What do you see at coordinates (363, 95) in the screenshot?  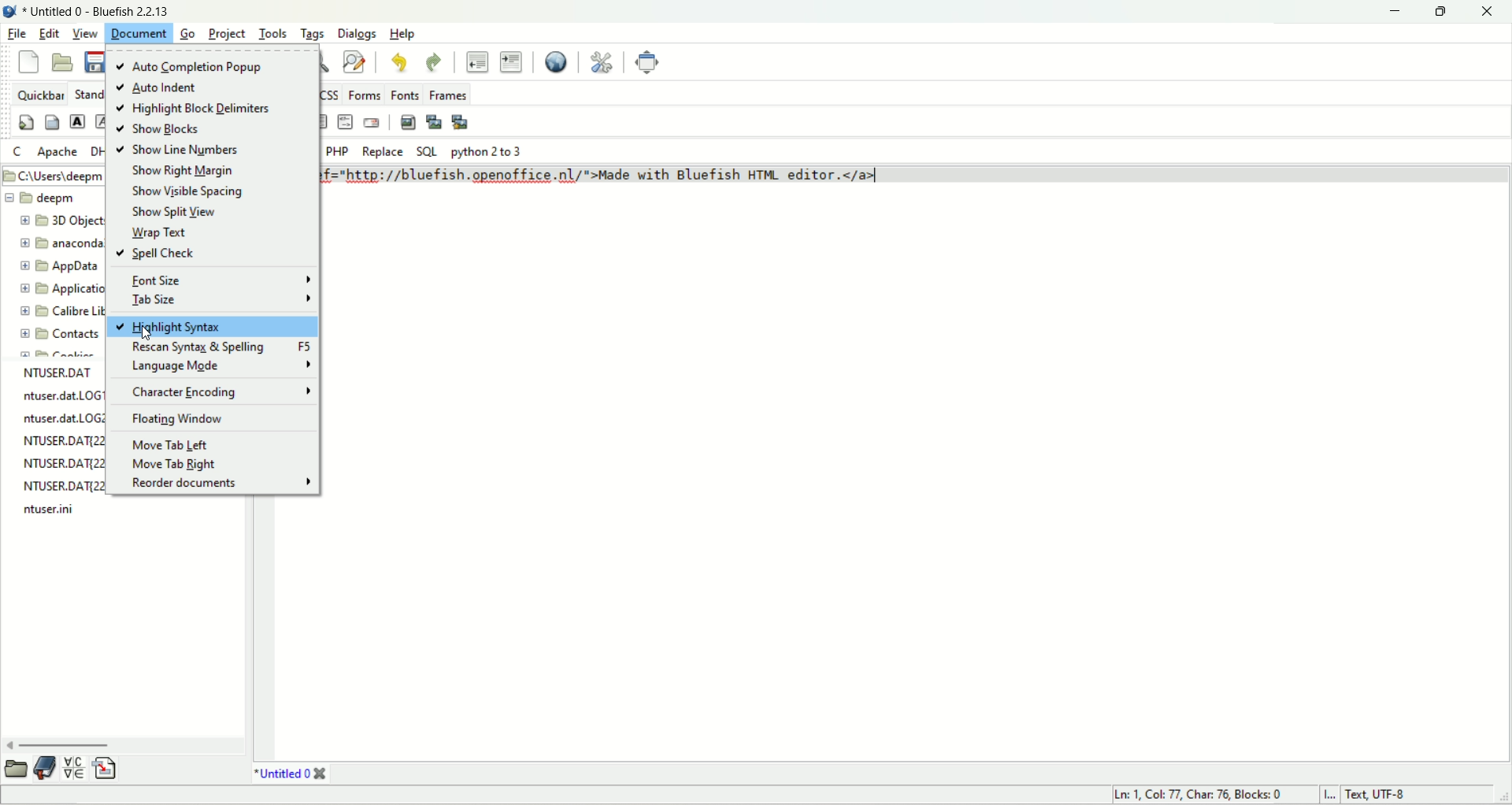 I see `forms` at bounding box center [363, 95].